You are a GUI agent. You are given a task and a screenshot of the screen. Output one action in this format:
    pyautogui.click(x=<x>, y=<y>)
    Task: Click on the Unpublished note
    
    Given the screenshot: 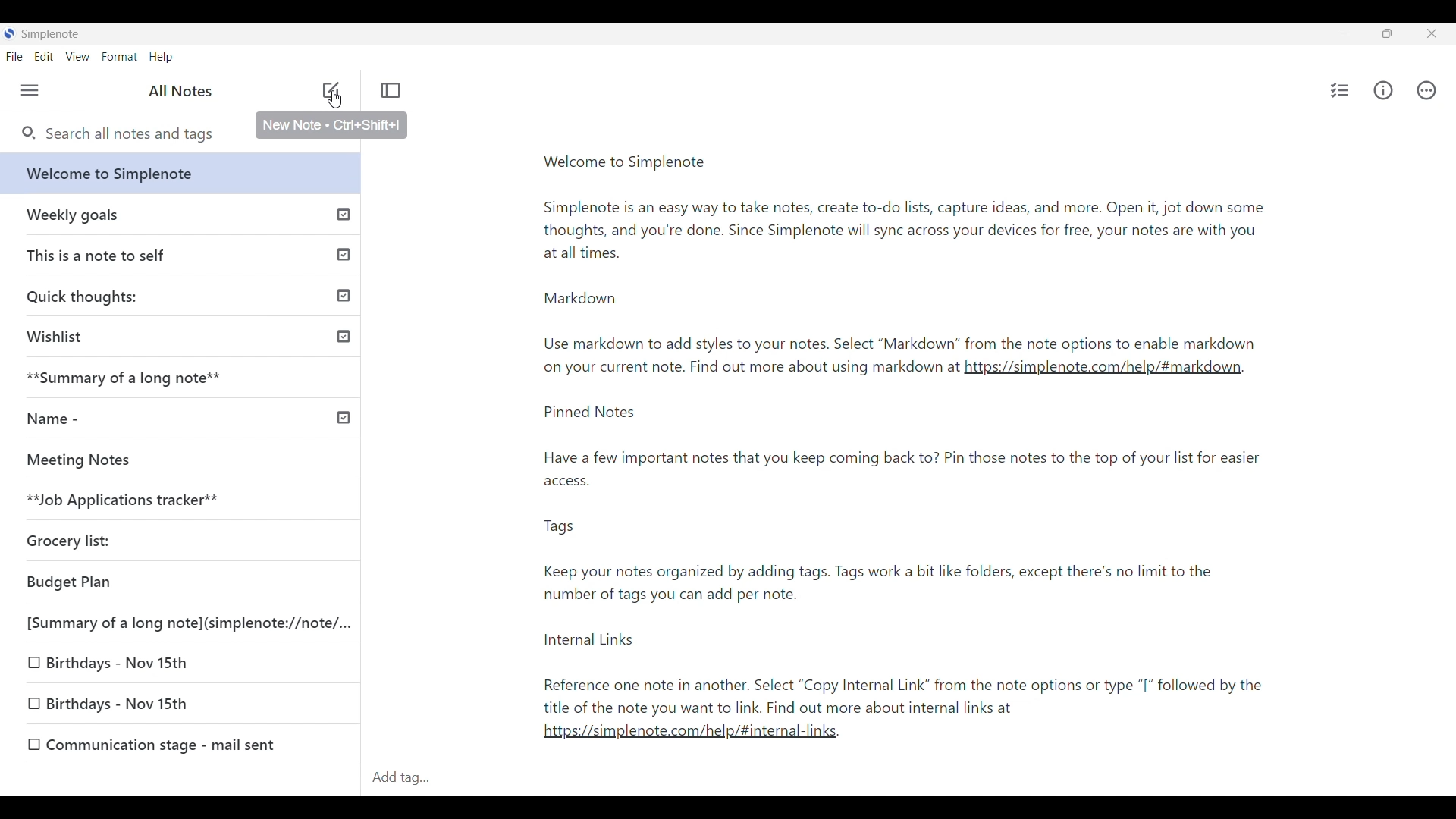 What is the action you would take?
    pyautogui.click(x=75, y=582)
    